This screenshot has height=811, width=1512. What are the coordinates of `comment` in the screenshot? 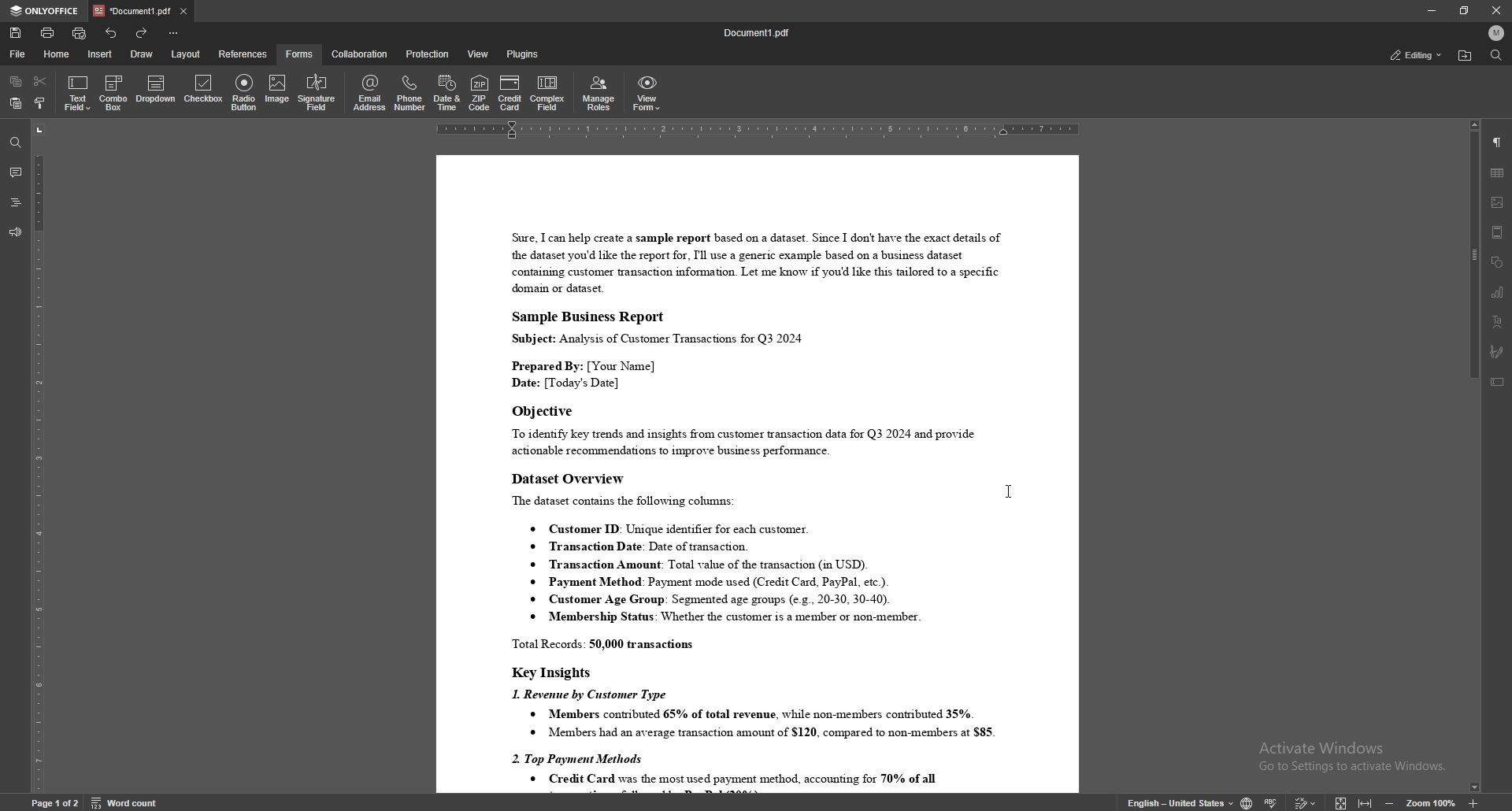 It's located at (15, 172).